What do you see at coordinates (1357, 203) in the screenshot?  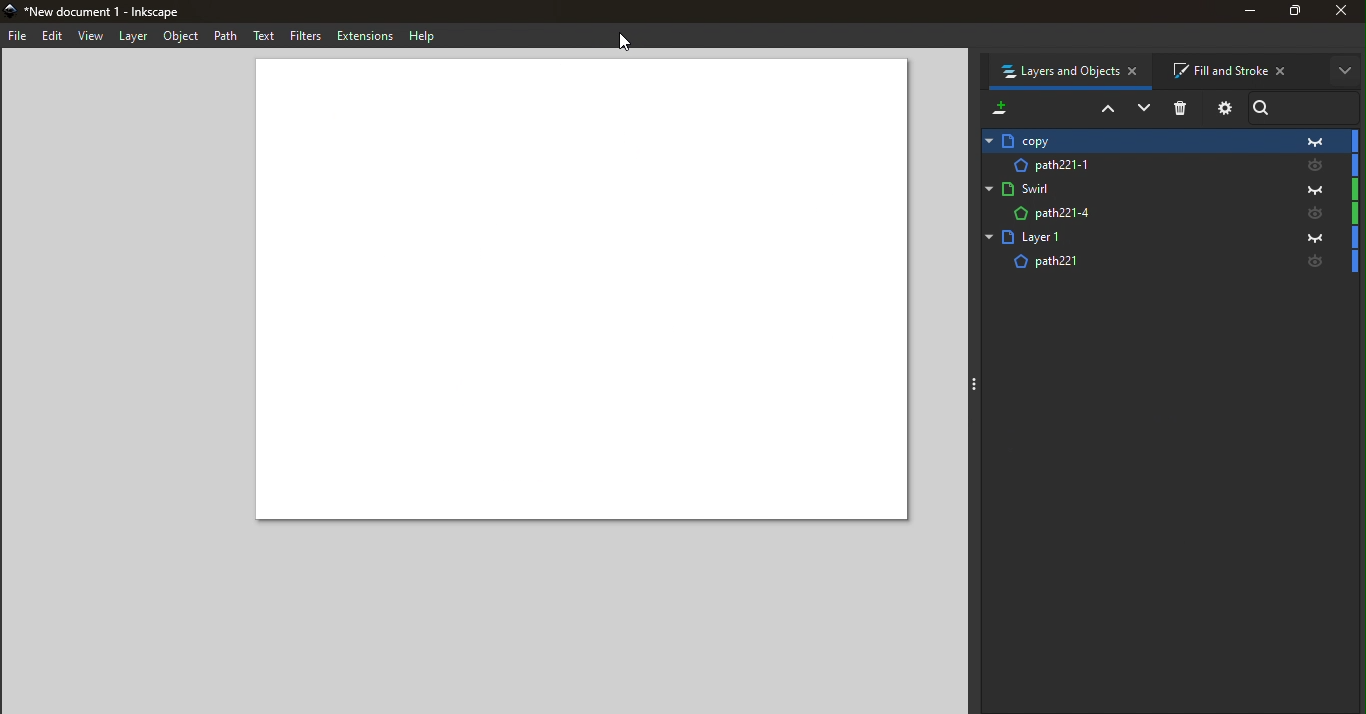 I see `colors of the layers` at bounding box center [1357, 203].